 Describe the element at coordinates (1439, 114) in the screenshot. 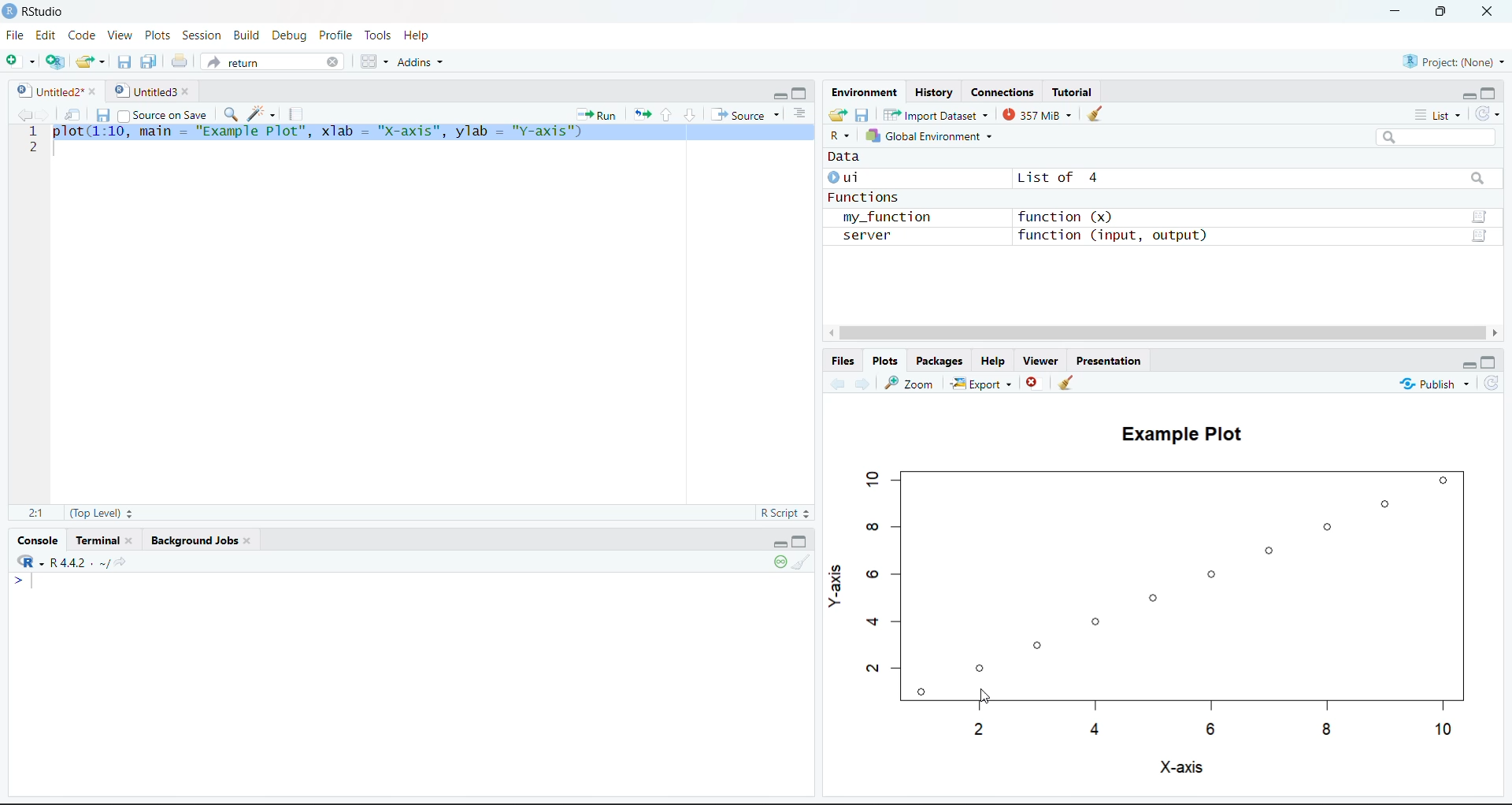

I see `List` at that location.